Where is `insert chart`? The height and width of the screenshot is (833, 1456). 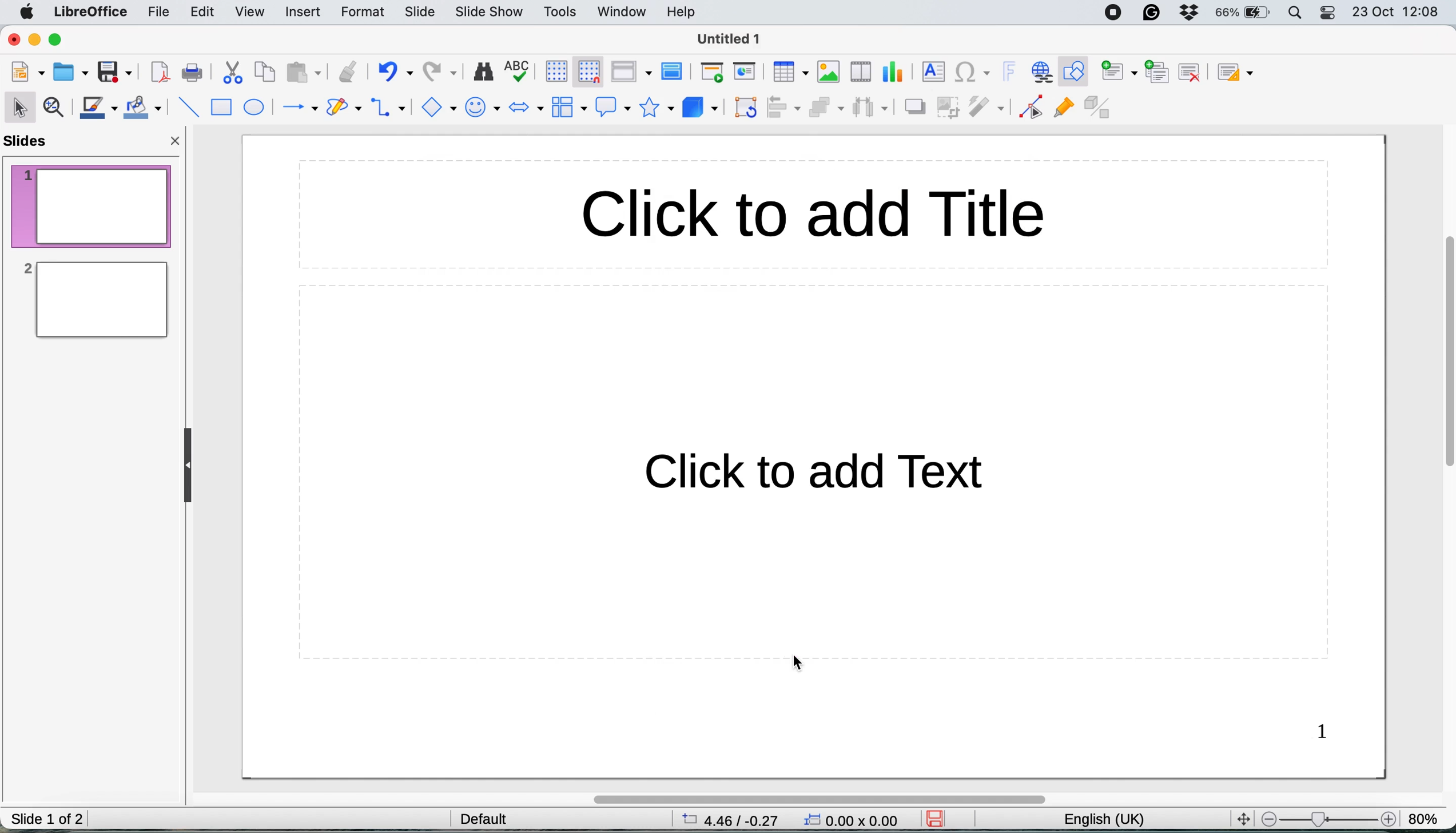 insert chart is located at coordinates (895, 72).